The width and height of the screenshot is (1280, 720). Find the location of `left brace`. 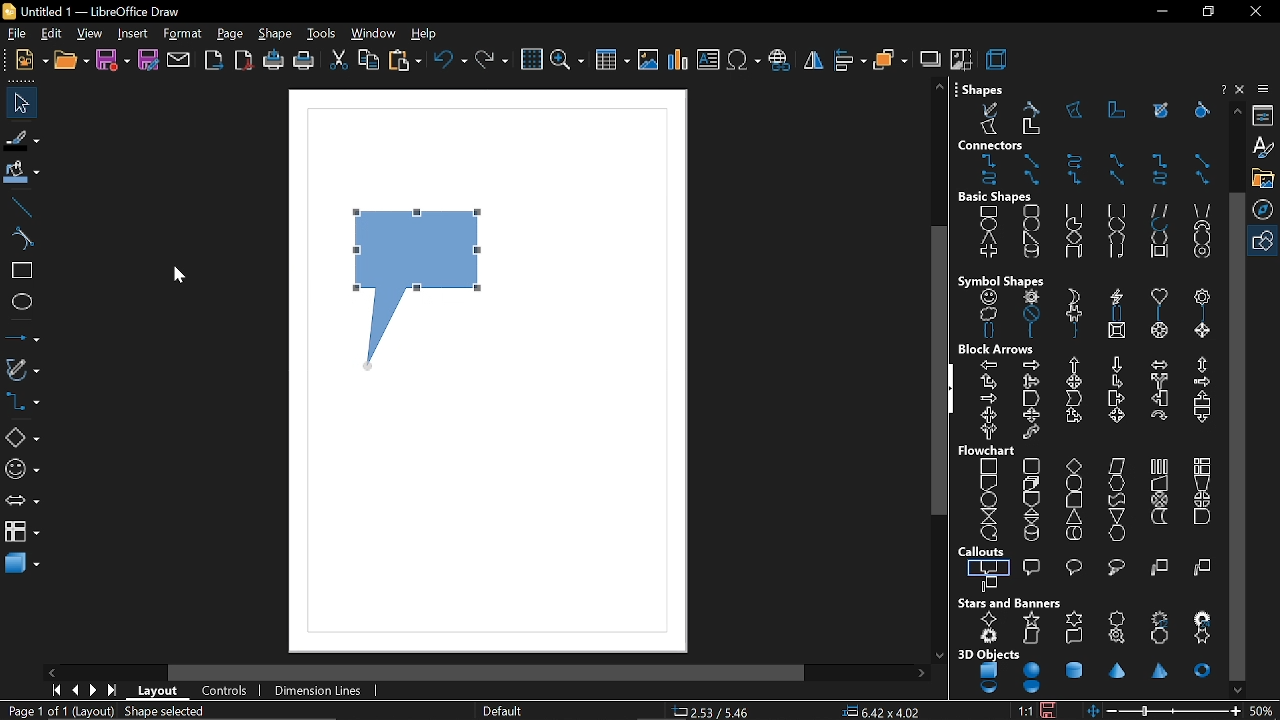

left brace is located at coordinates (1030, 331).